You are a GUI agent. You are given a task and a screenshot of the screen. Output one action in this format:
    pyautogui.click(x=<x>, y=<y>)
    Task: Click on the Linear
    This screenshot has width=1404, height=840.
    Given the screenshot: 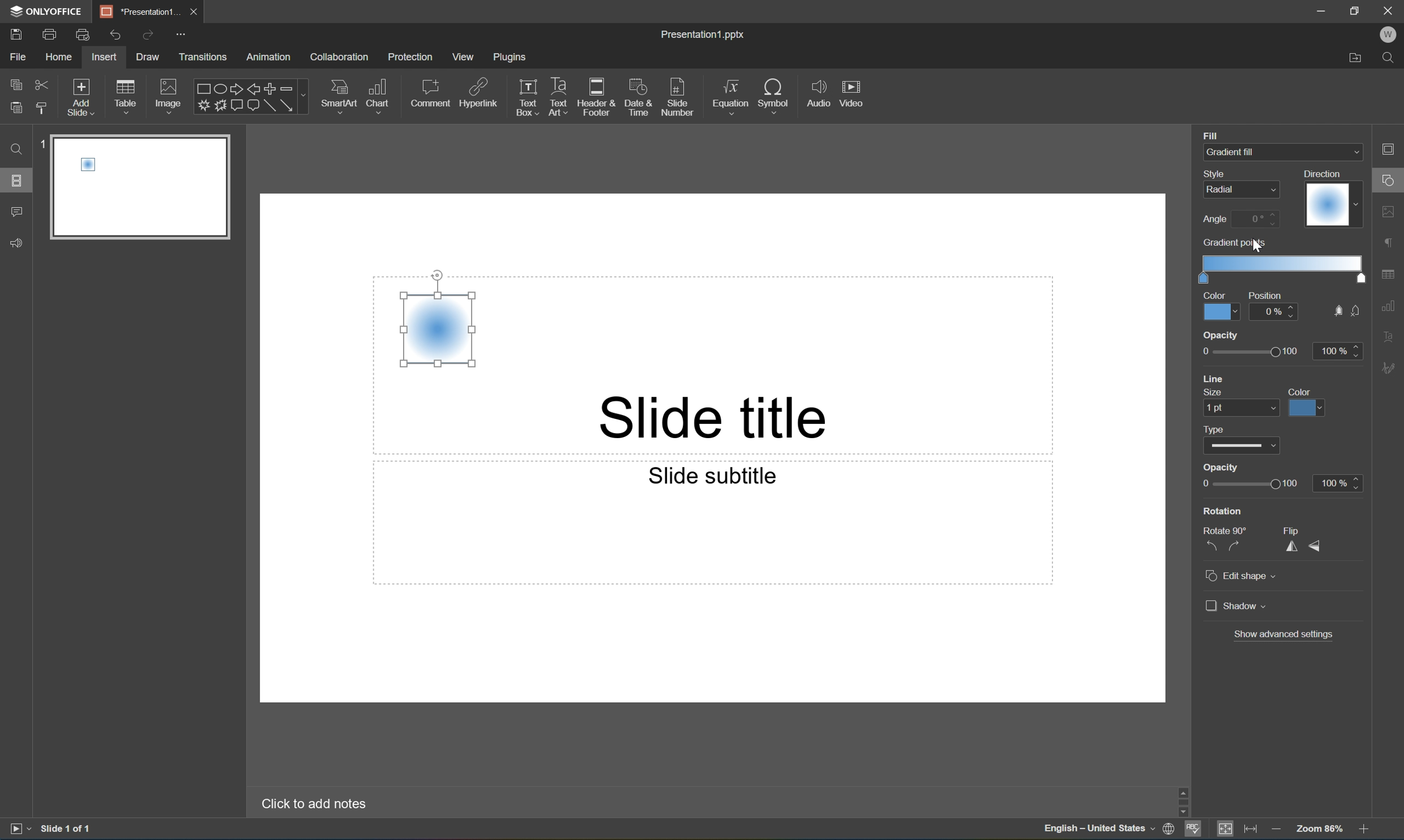 What is the action you would take?
    pyautogui.click(x=437, y=329)
    